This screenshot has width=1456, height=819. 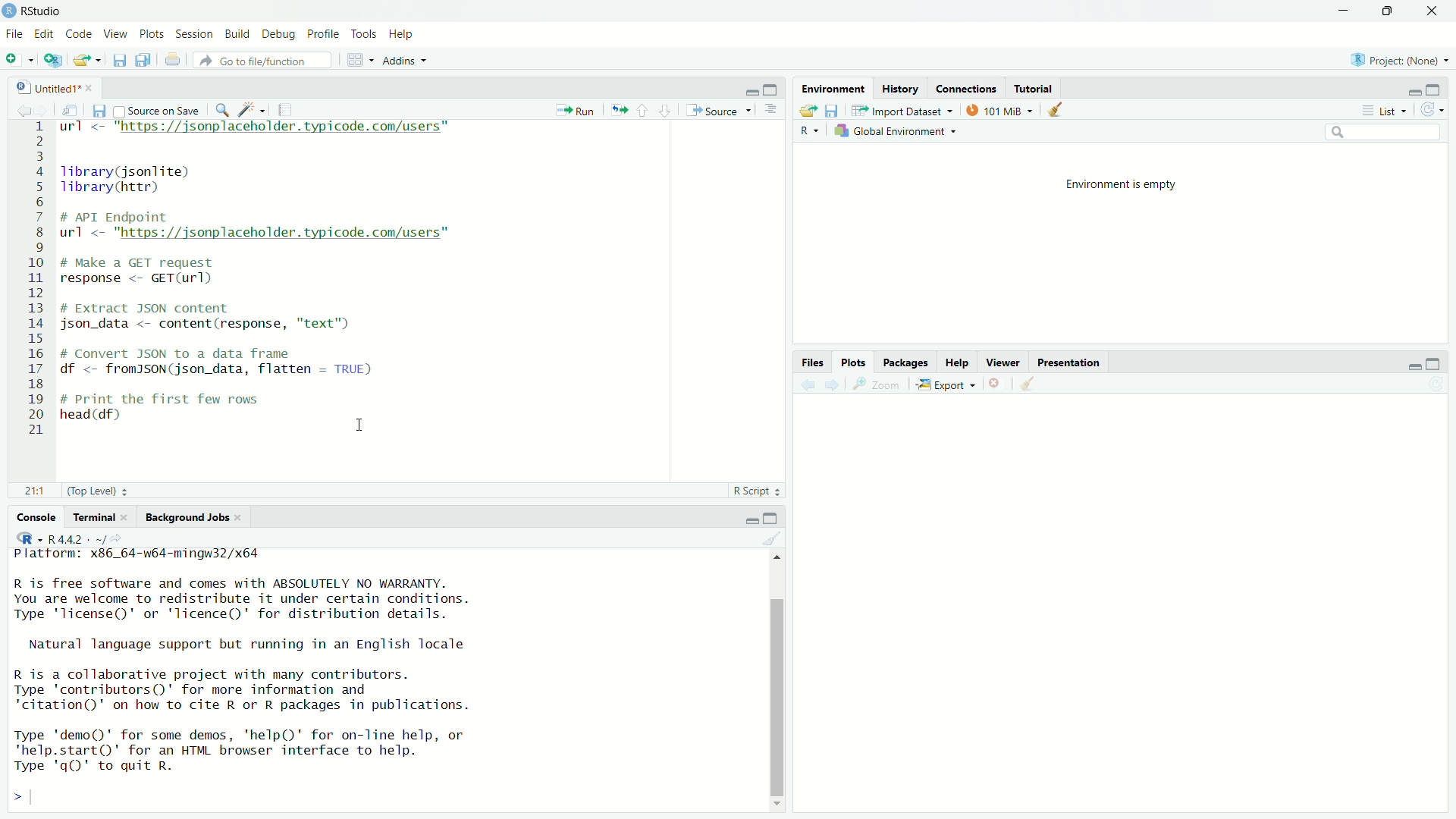 What do you see at coordinates (834, 386) in the screenshot?
I see `Next` at bounding box center [834, 386].